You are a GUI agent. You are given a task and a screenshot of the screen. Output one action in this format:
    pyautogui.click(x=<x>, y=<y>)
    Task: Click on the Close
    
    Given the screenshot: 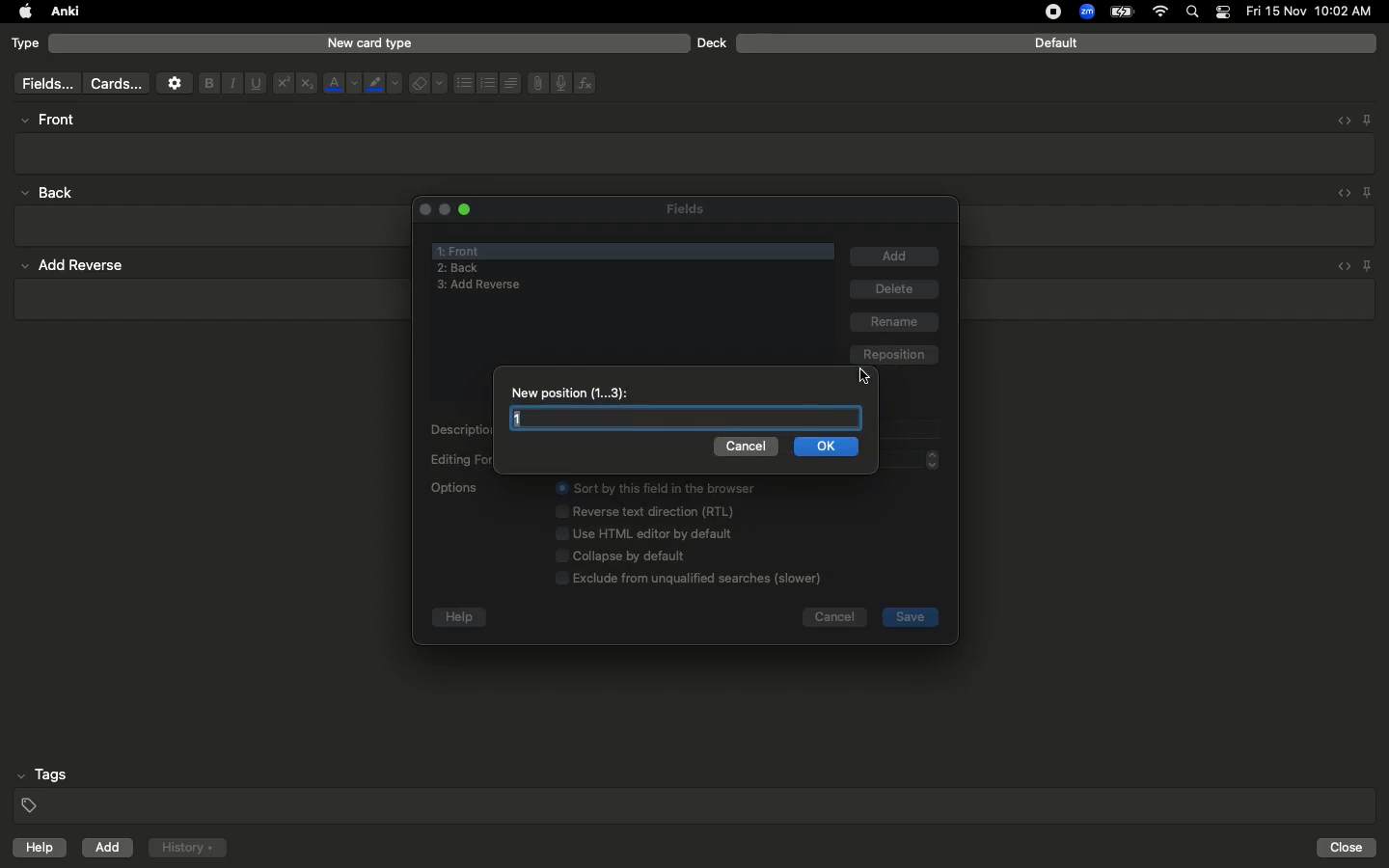 What is the action you would take?
    pyautogui.click(x=1349, y=848)
    